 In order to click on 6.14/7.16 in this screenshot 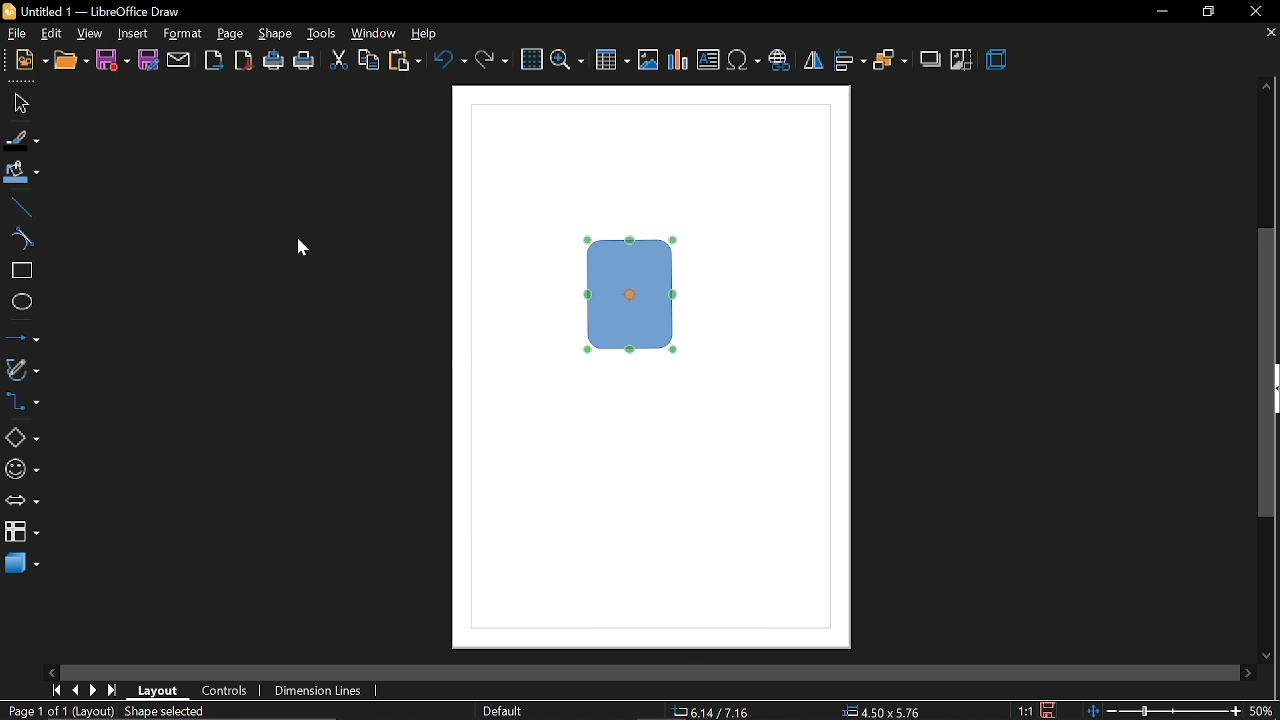, I will do `click(711, 711)`.